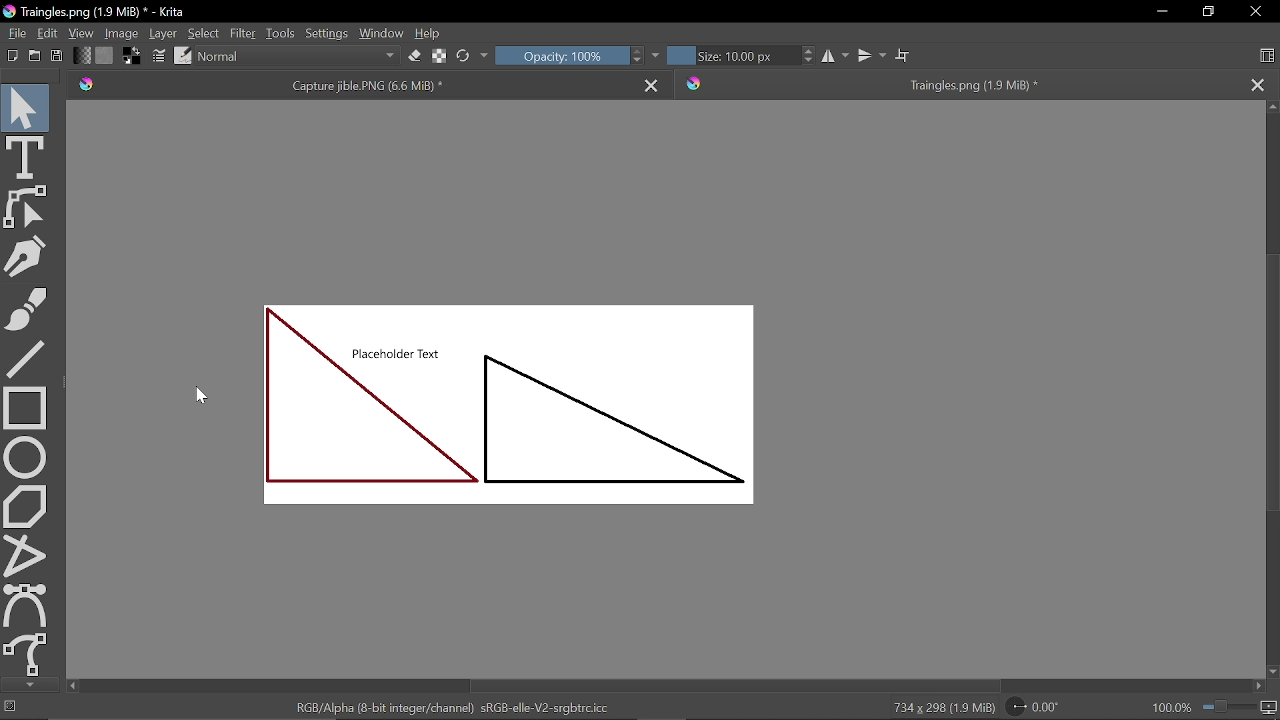 The height and width of the screenshot is (720, 1280). Describe the element at coordinates (27, 605) in the screenshot. I see `Bezier curve tool` at that location.